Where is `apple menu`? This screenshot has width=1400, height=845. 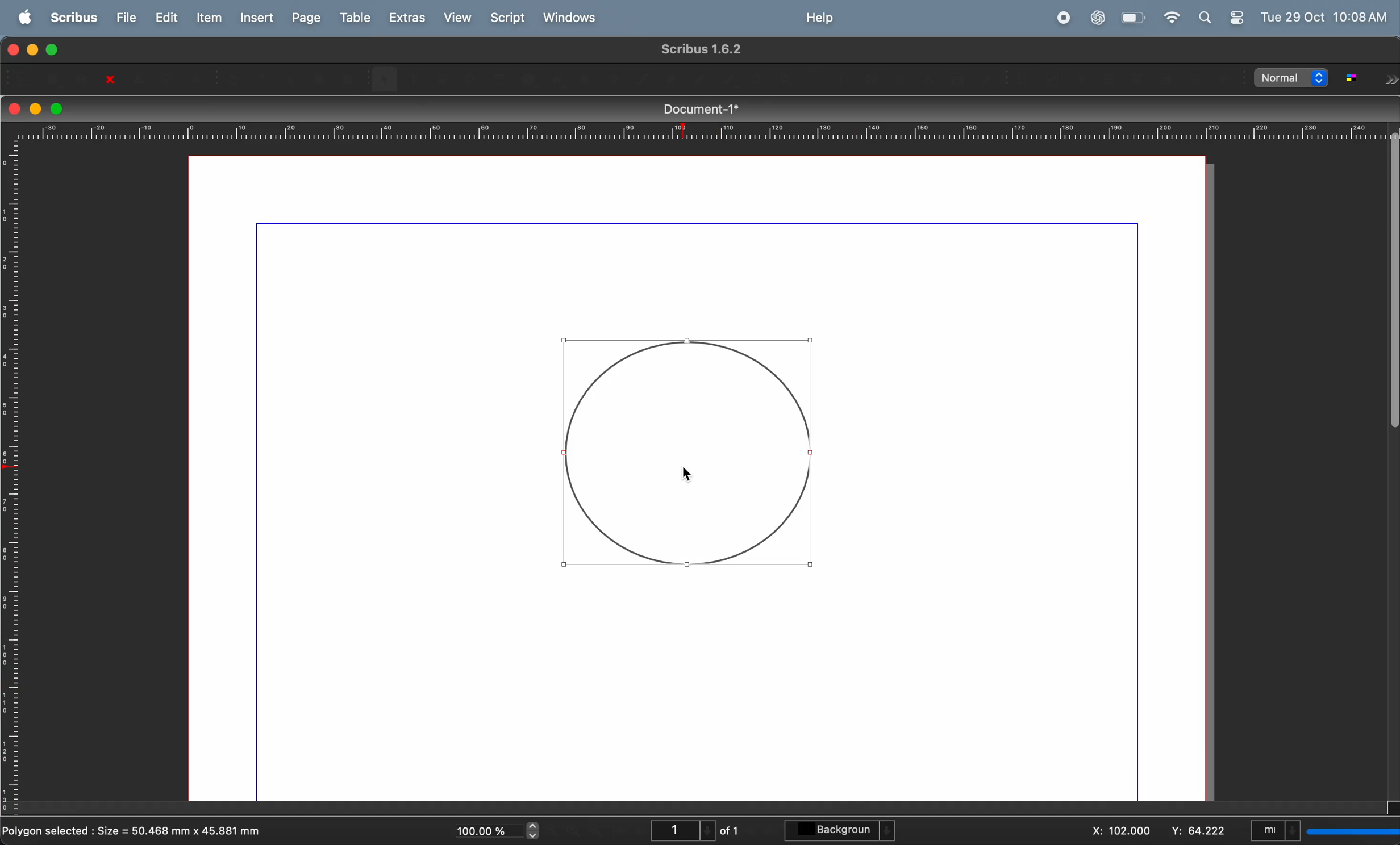 apple menu is located at coordinates (23, 18).